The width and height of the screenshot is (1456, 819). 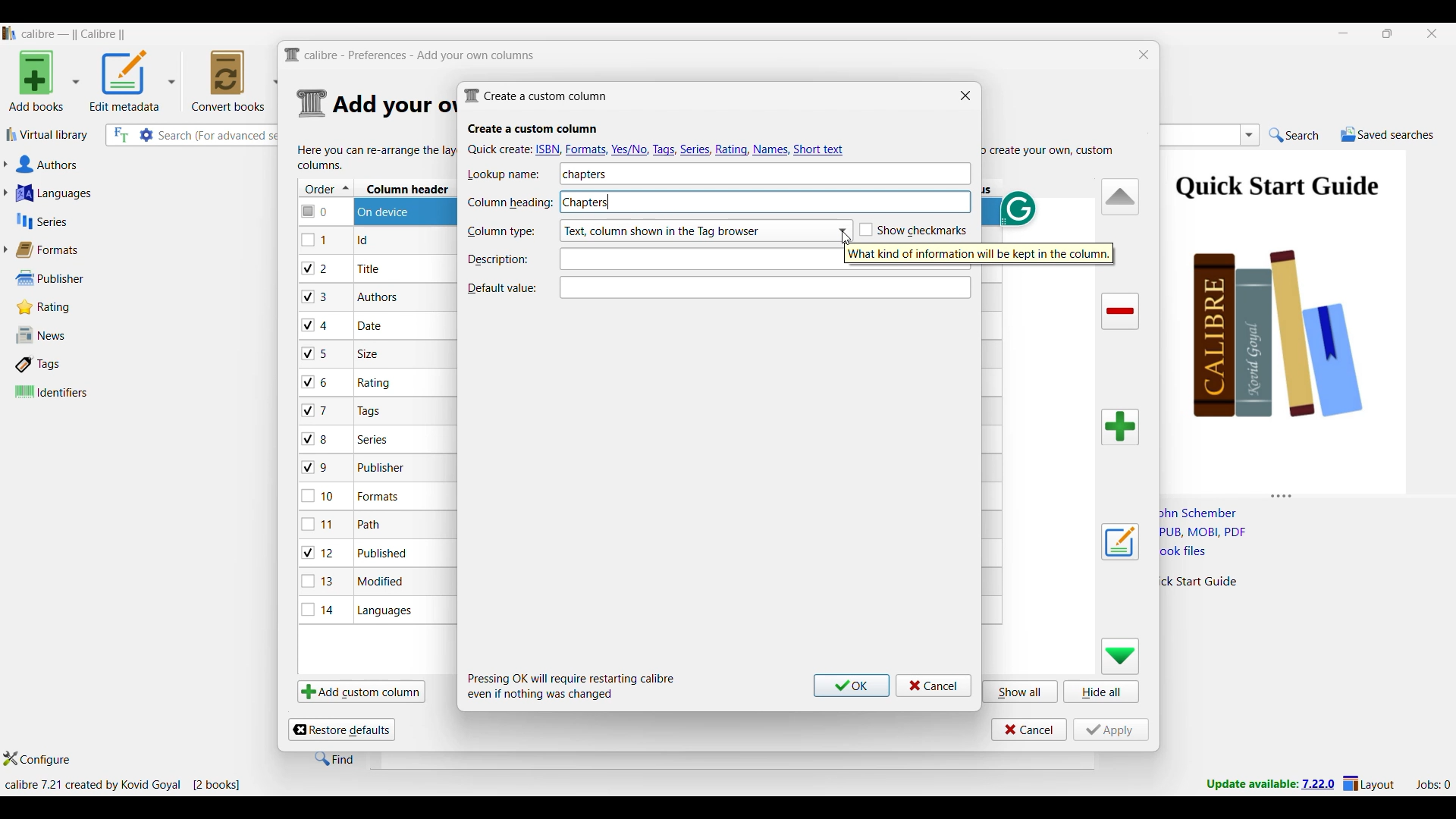 I want to click on Authors, so click(x=120, y=165).